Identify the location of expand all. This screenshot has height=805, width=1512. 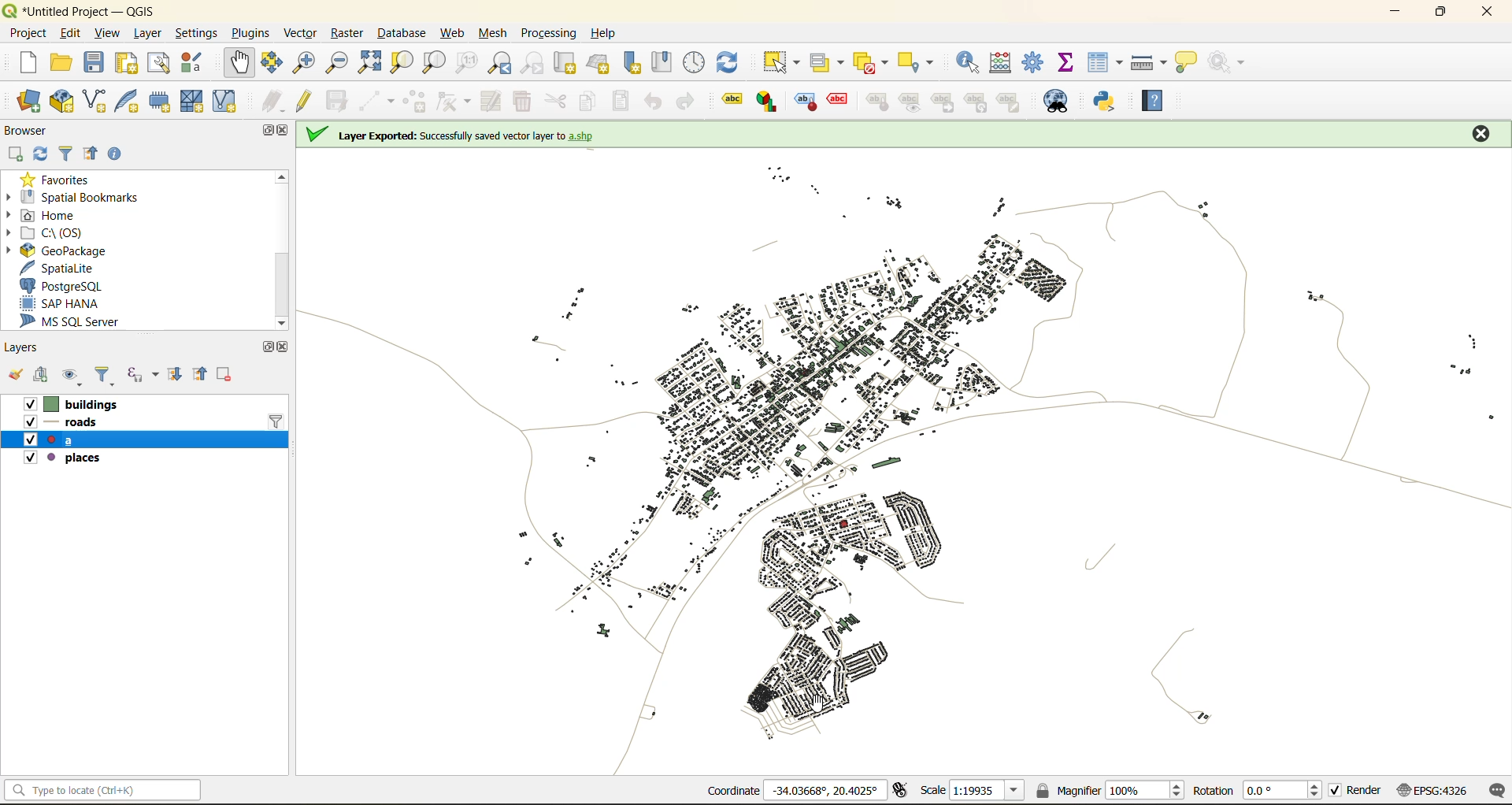
(176, 378).